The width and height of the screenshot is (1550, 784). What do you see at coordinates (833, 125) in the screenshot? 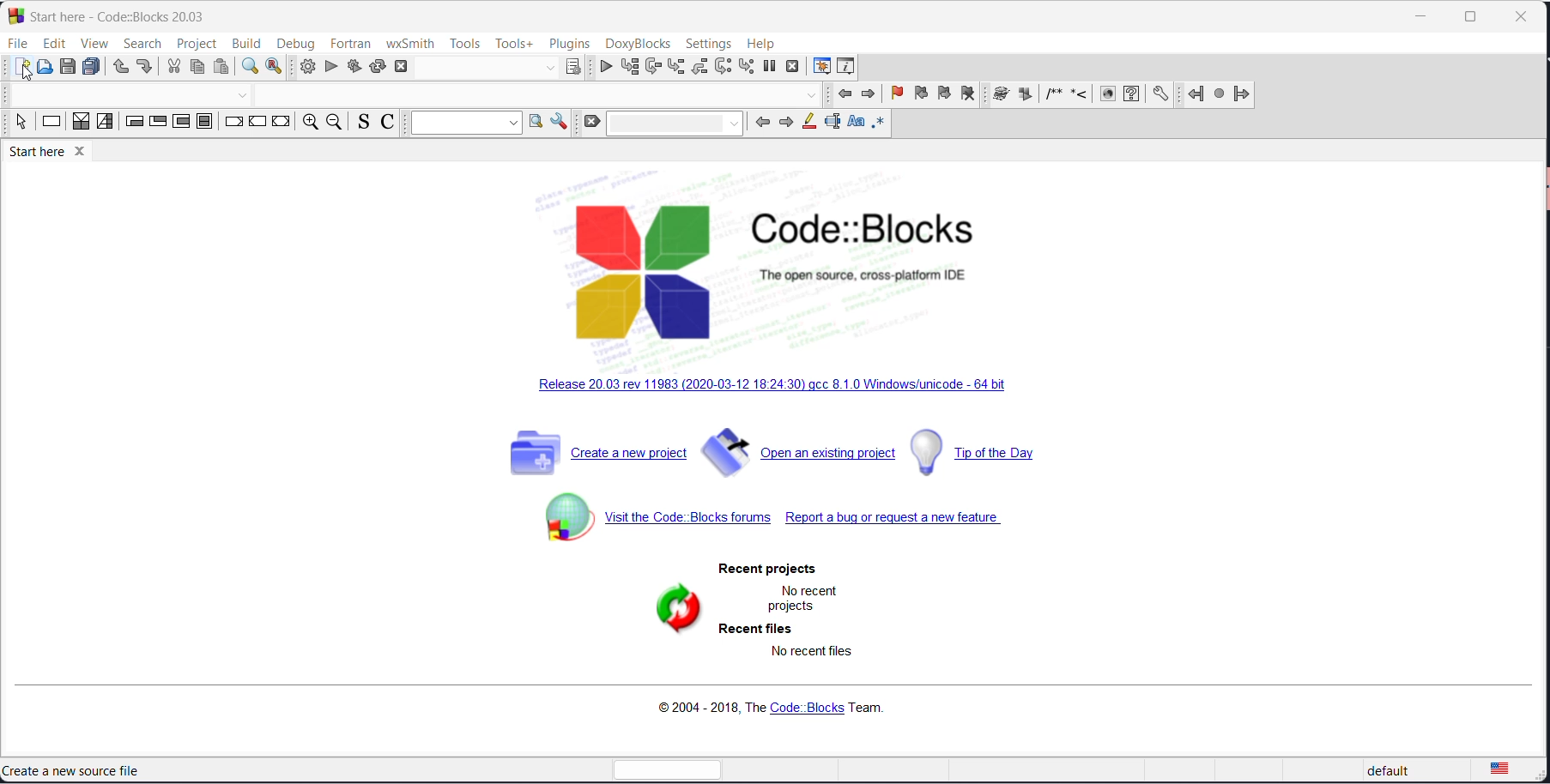
I see `selected text` at bounding box center [833, 125].